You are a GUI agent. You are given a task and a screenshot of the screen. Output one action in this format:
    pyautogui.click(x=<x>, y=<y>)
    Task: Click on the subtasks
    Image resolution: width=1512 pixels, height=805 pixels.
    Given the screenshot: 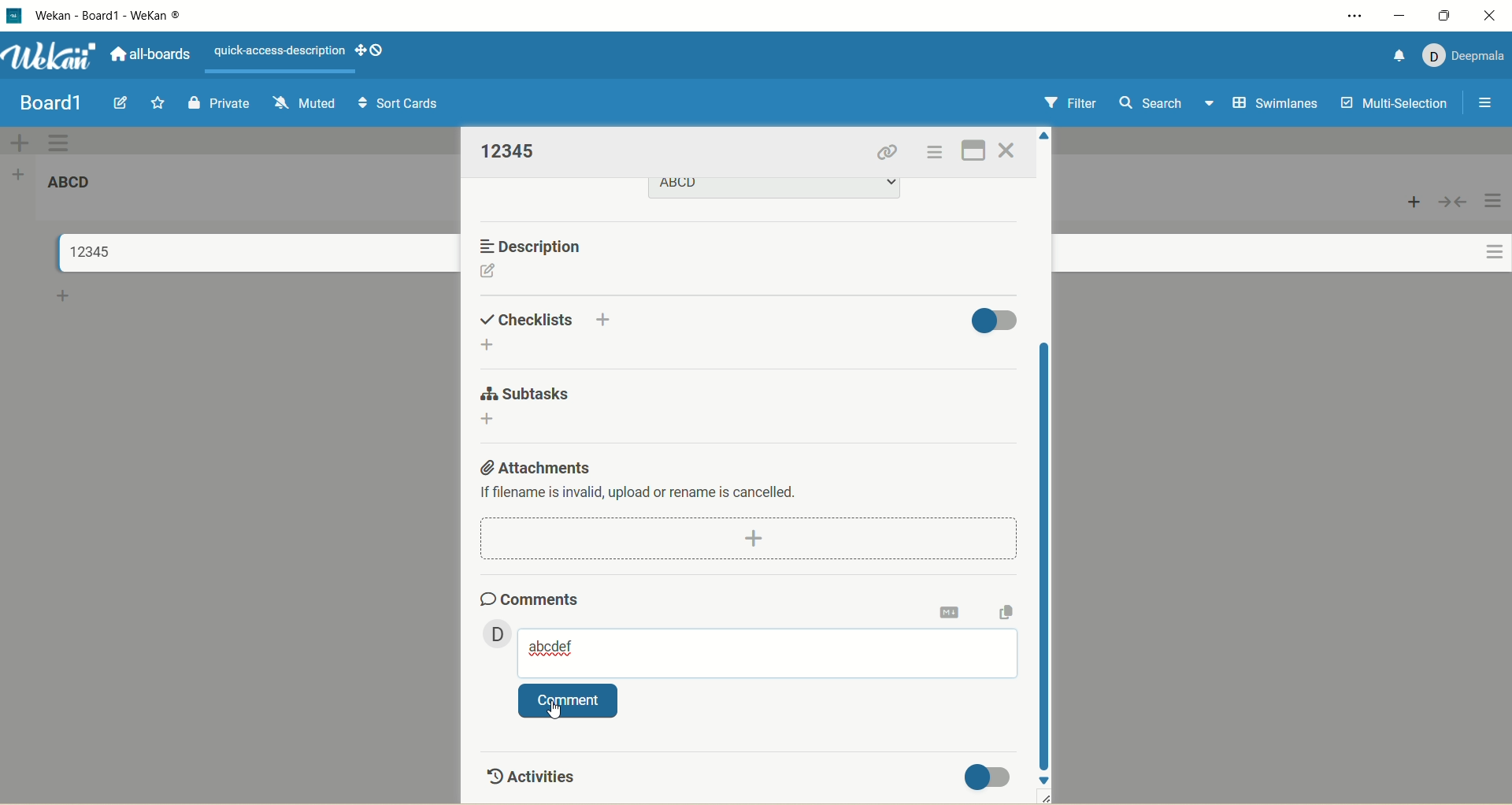 What is the action you would take?
    pyautogui.click(x=523, y=394)
    